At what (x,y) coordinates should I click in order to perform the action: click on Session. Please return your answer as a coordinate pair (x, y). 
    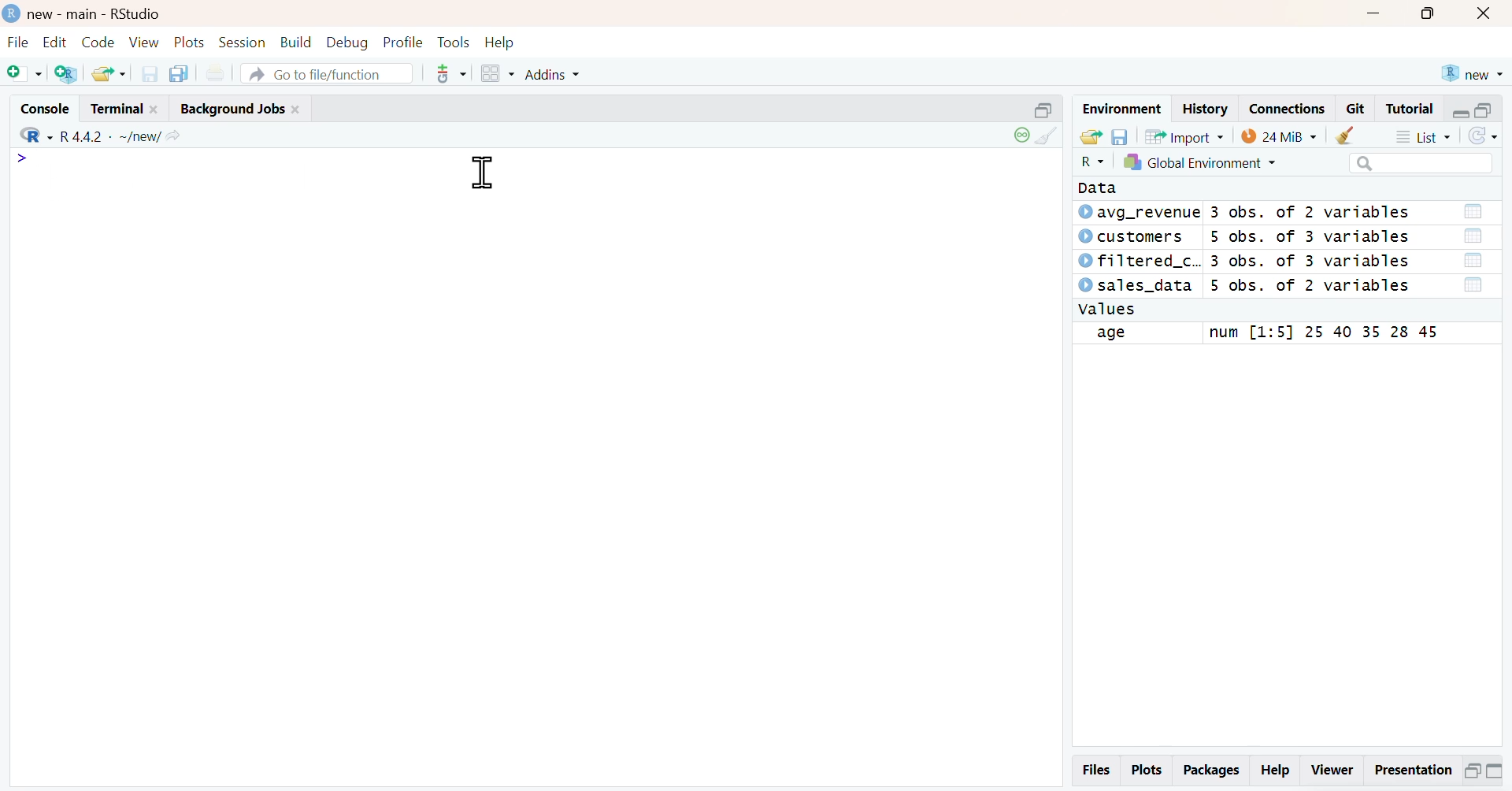
    Looking at the image, I should click on (243, 42).